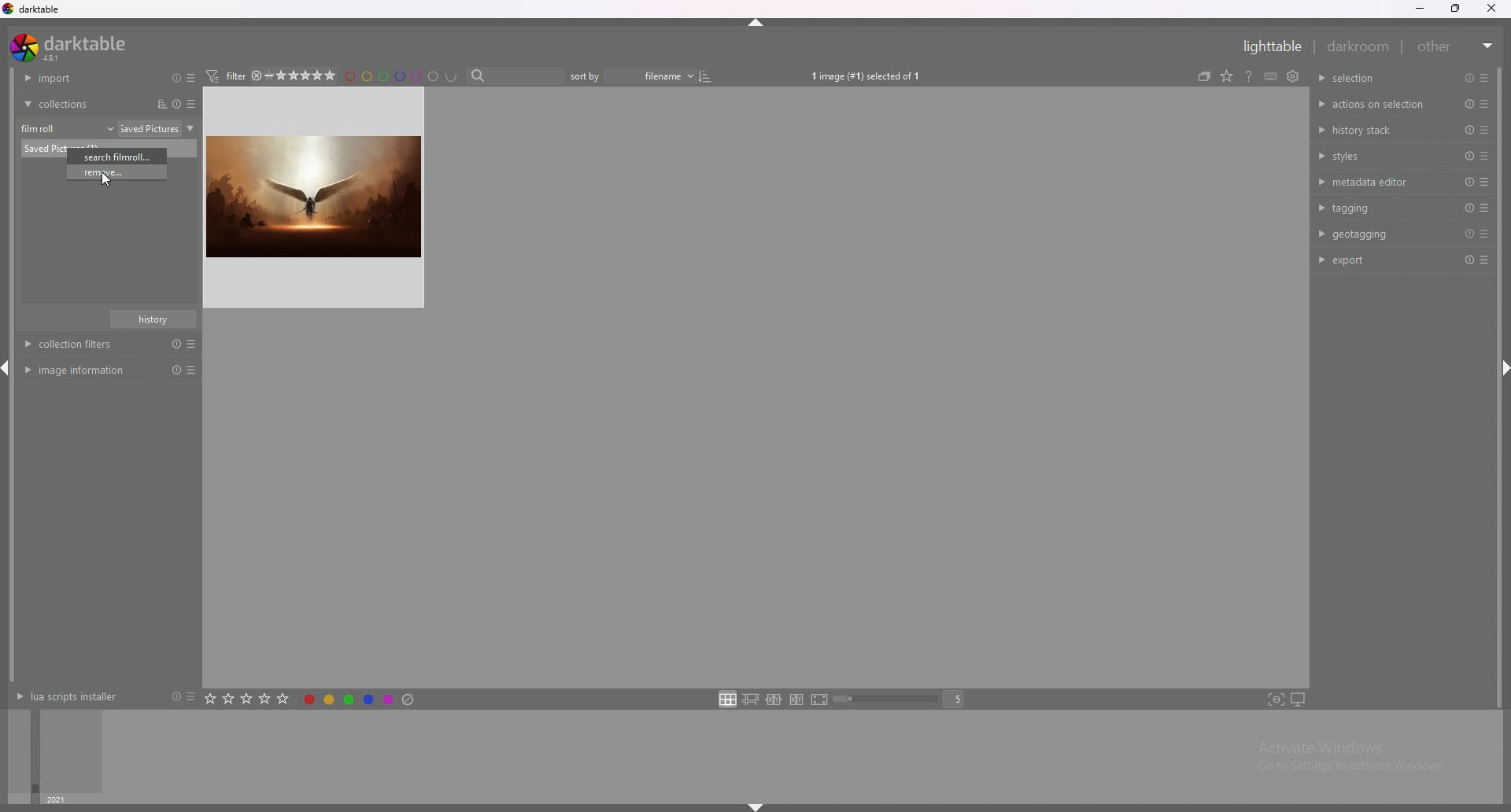  What do you see at coordinates (1312, 75) in the screenshot?
I see `show global preferences` at bounding box center [1312, 75].